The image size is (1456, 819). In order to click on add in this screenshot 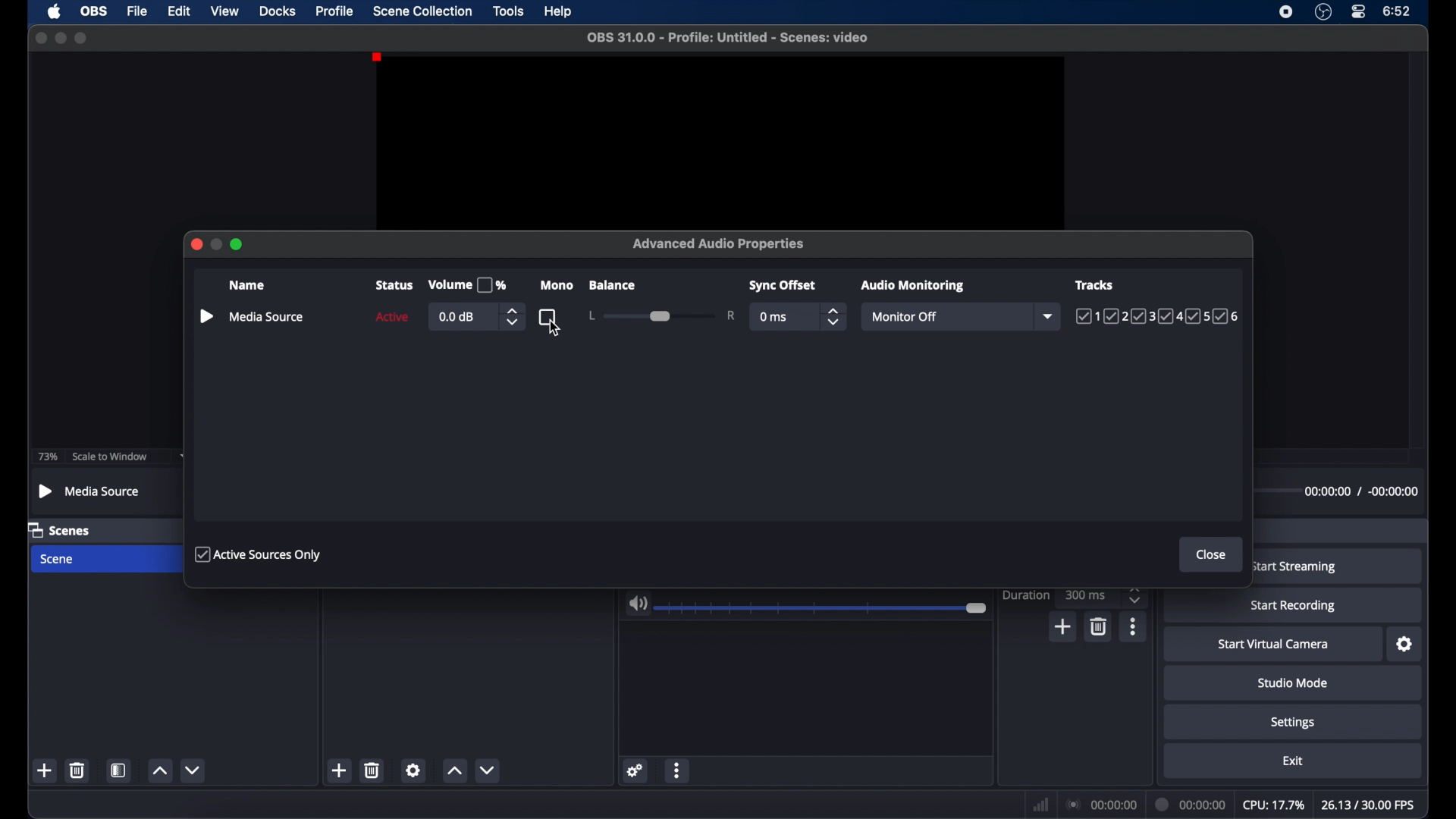, I will do `click(338, 770)`.